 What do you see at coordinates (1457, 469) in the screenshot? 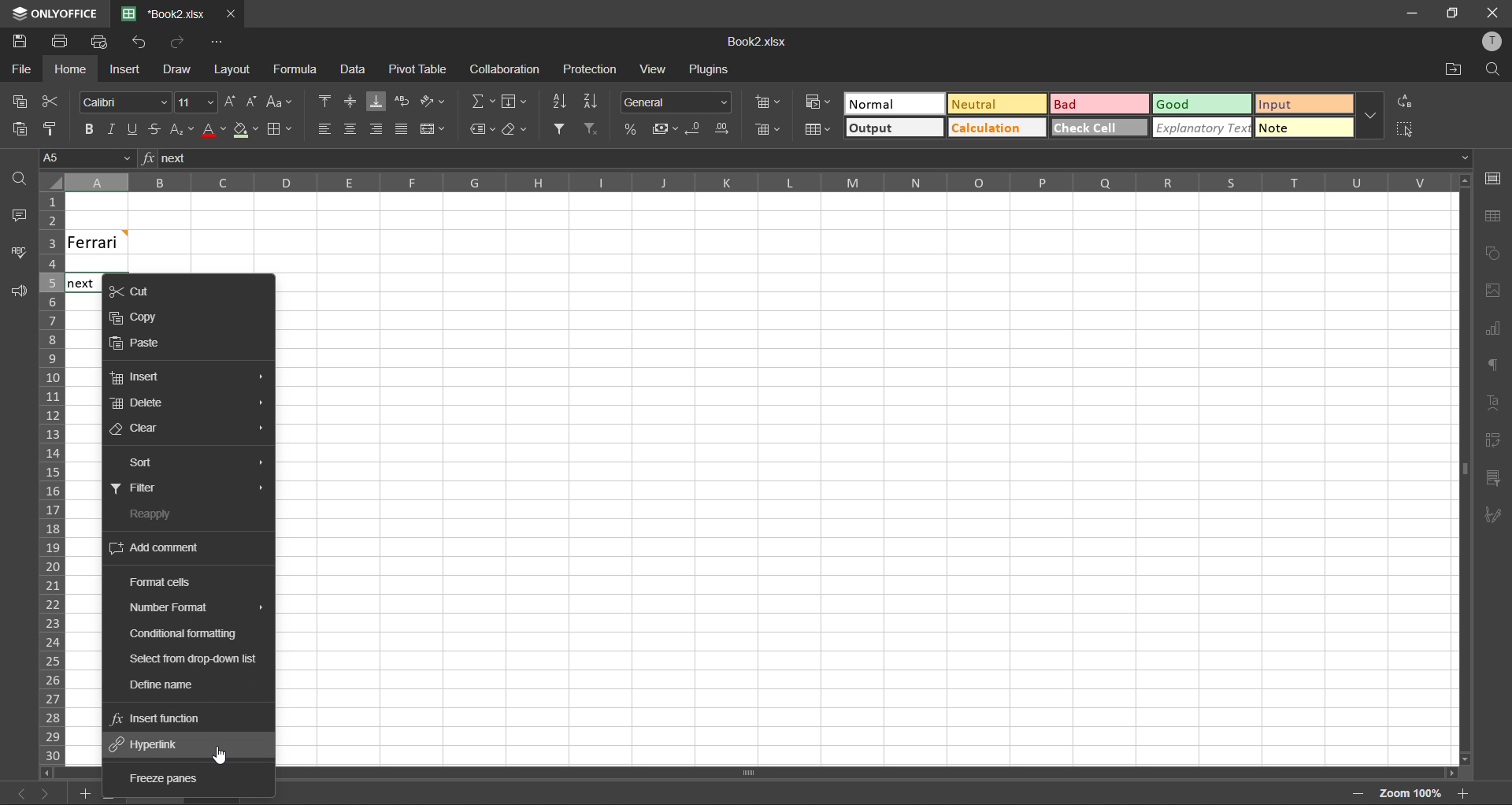
I see `Horizontal Scrollbar` at bounding box center [1457, 469].